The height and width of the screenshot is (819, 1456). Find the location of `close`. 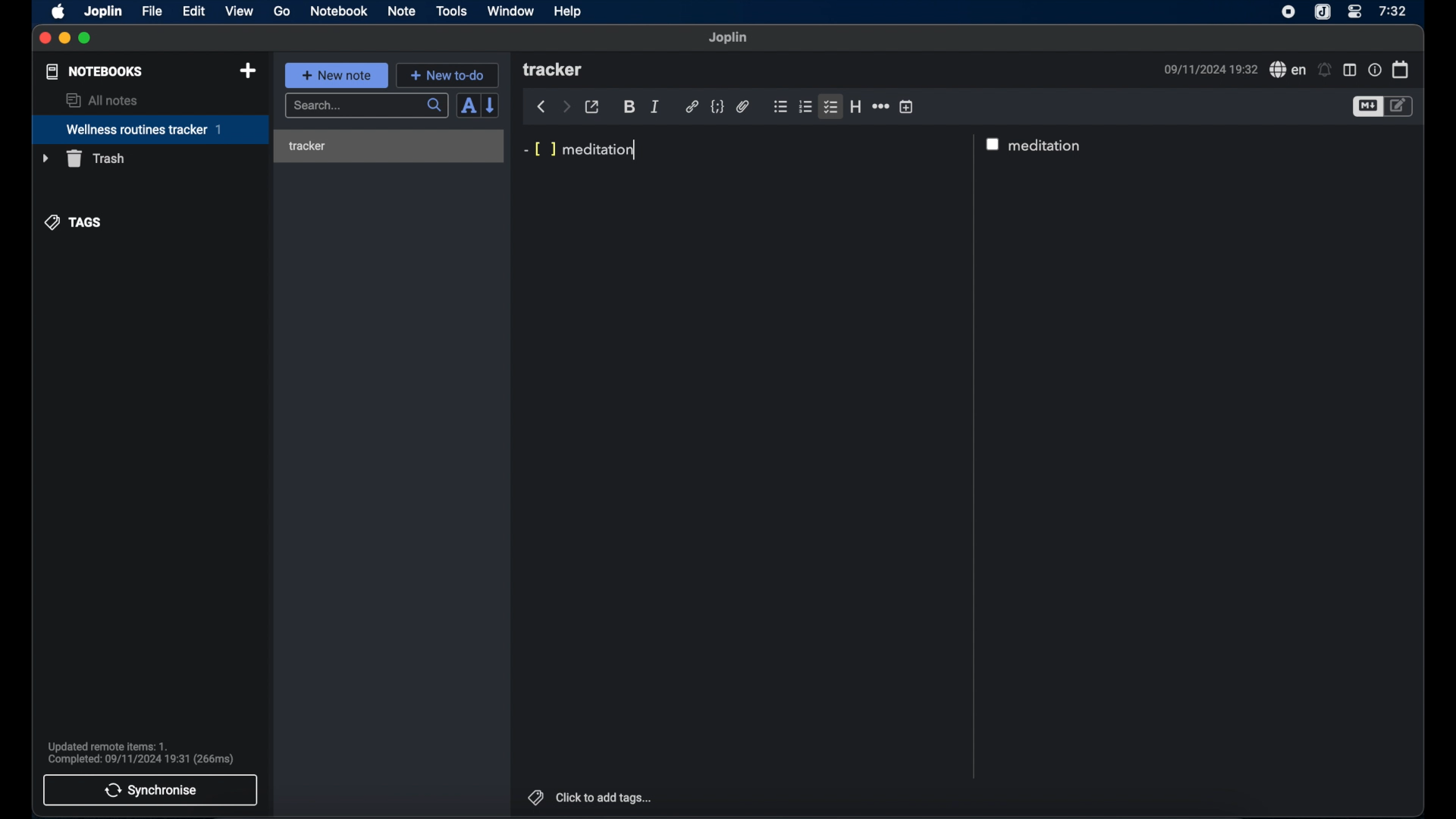

close is located at coordinates (45, 39).